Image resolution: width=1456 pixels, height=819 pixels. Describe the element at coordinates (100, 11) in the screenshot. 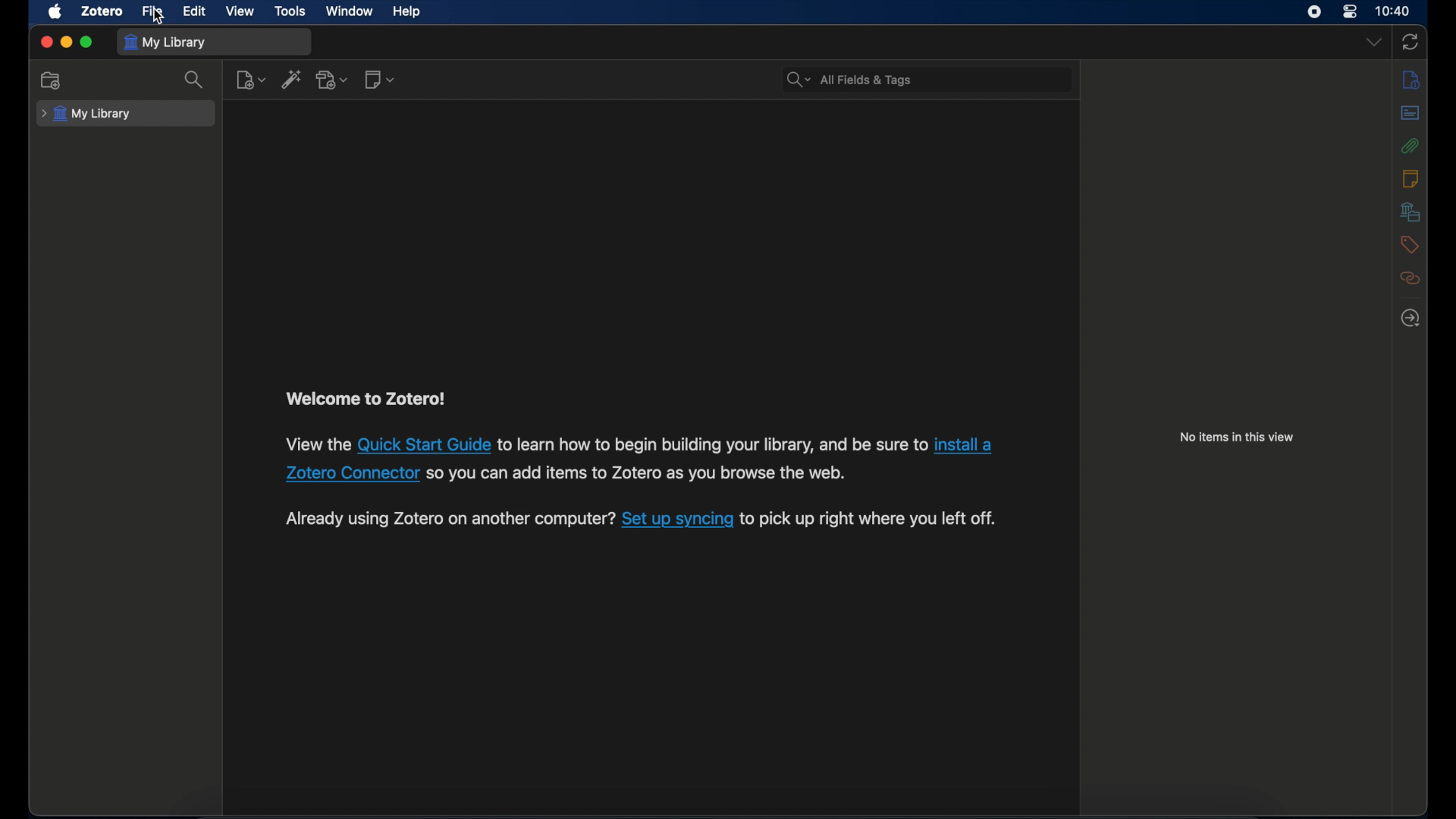

I see `zotero` at that location.